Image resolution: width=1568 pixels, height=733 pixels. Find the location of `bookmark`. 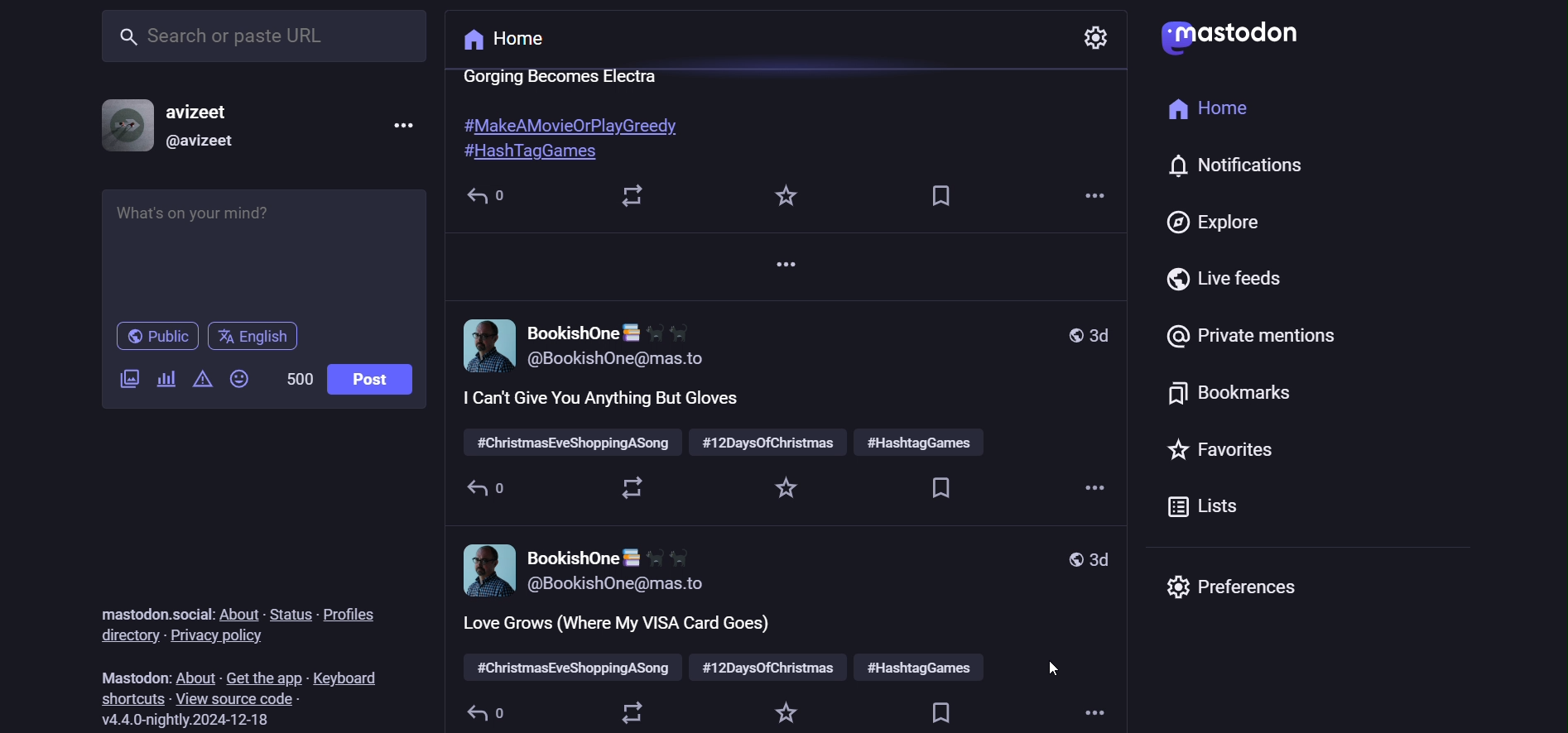

bookmark is located at coordinates (942, 196).